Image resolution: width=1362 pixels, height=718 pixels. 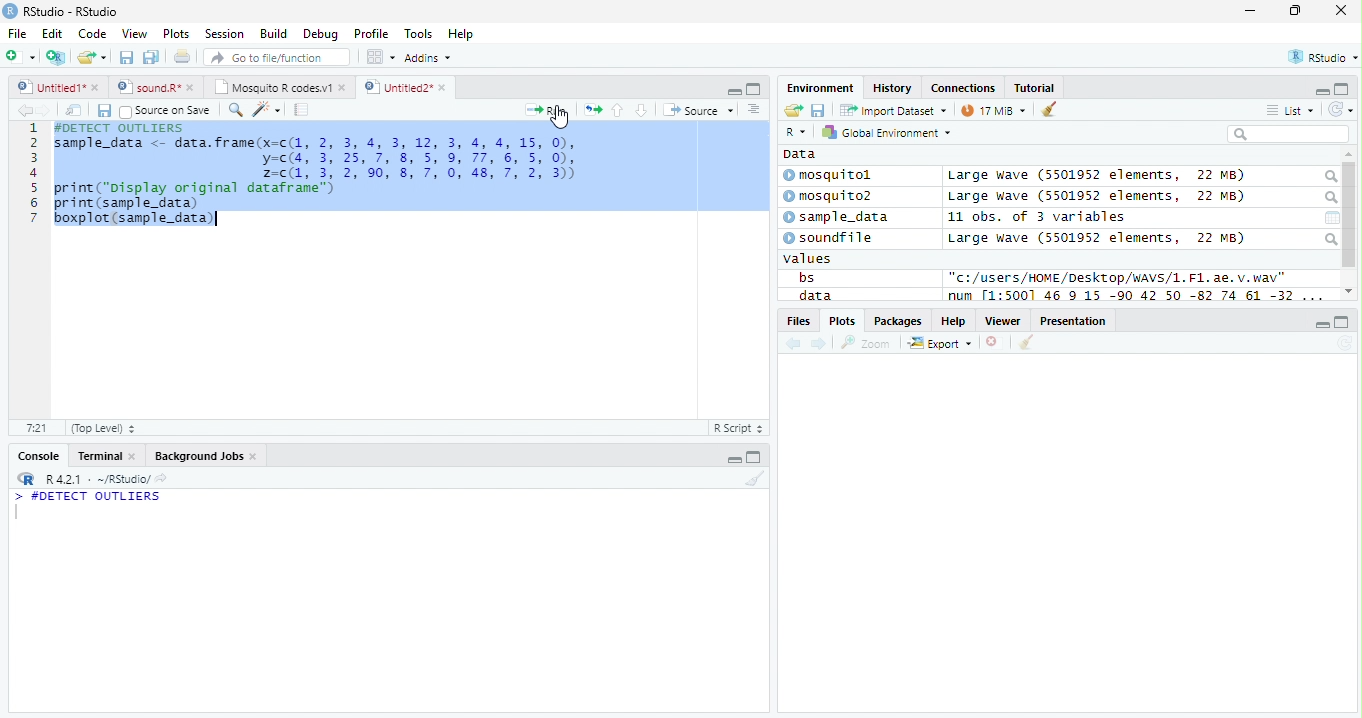 What do you see at coordinates (832, 196) in the screenshot?
I see `mosquito2` at bounding box center [832, 196].